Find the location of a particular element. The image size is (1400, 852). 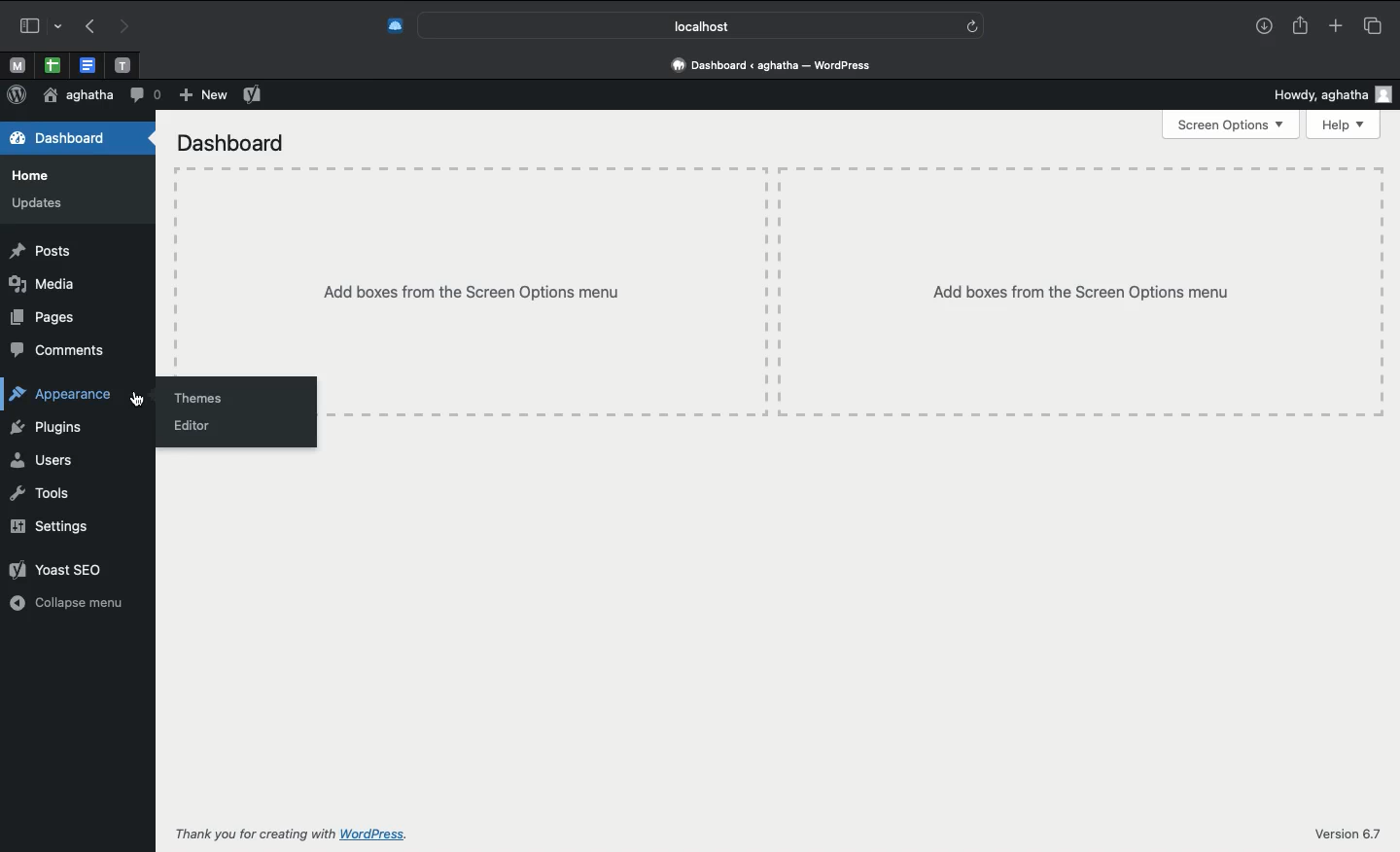

cursor is located at coordinates (141, 400).